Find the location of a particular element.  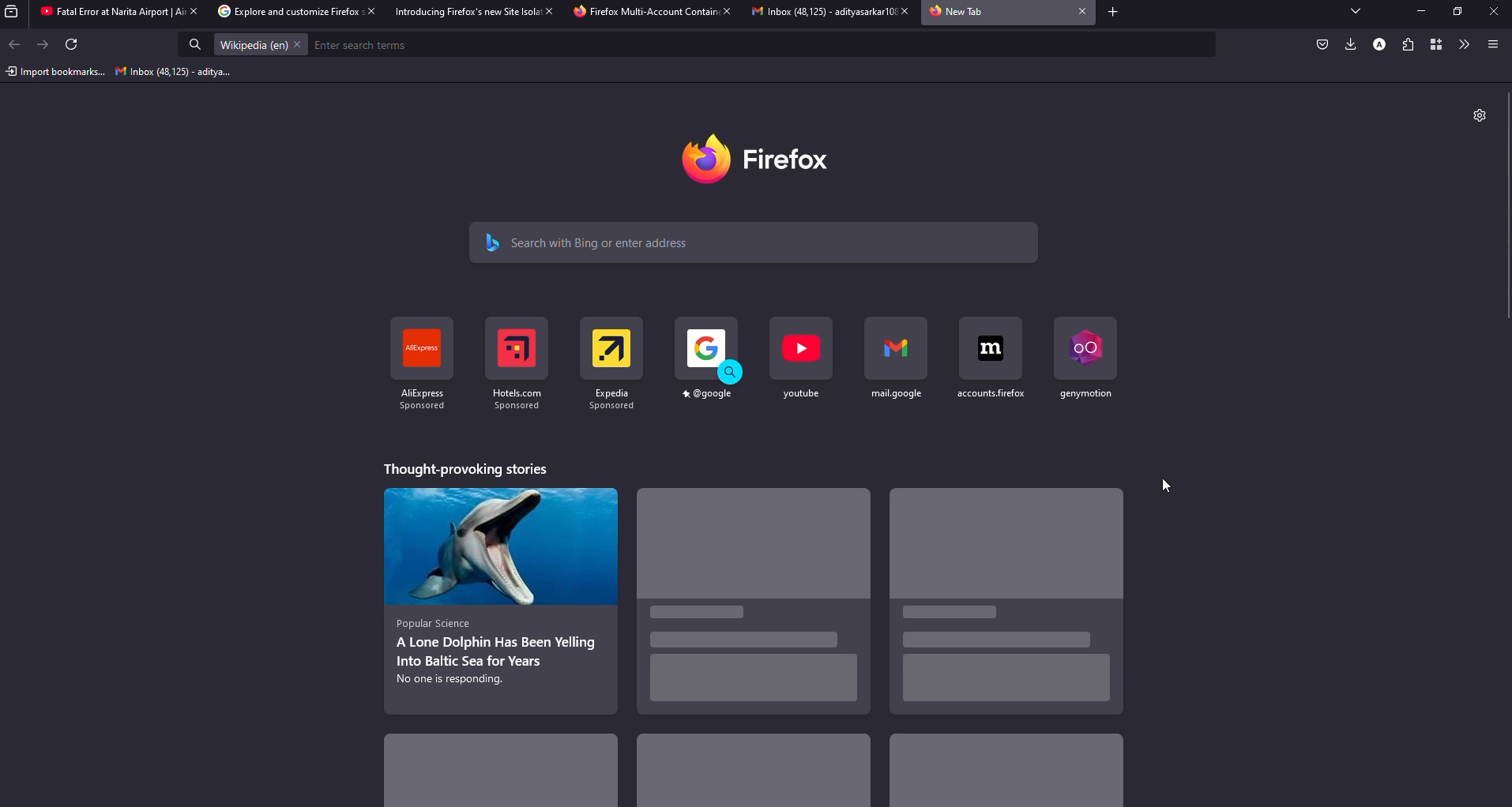

tab is located at coordinates (462, 12).